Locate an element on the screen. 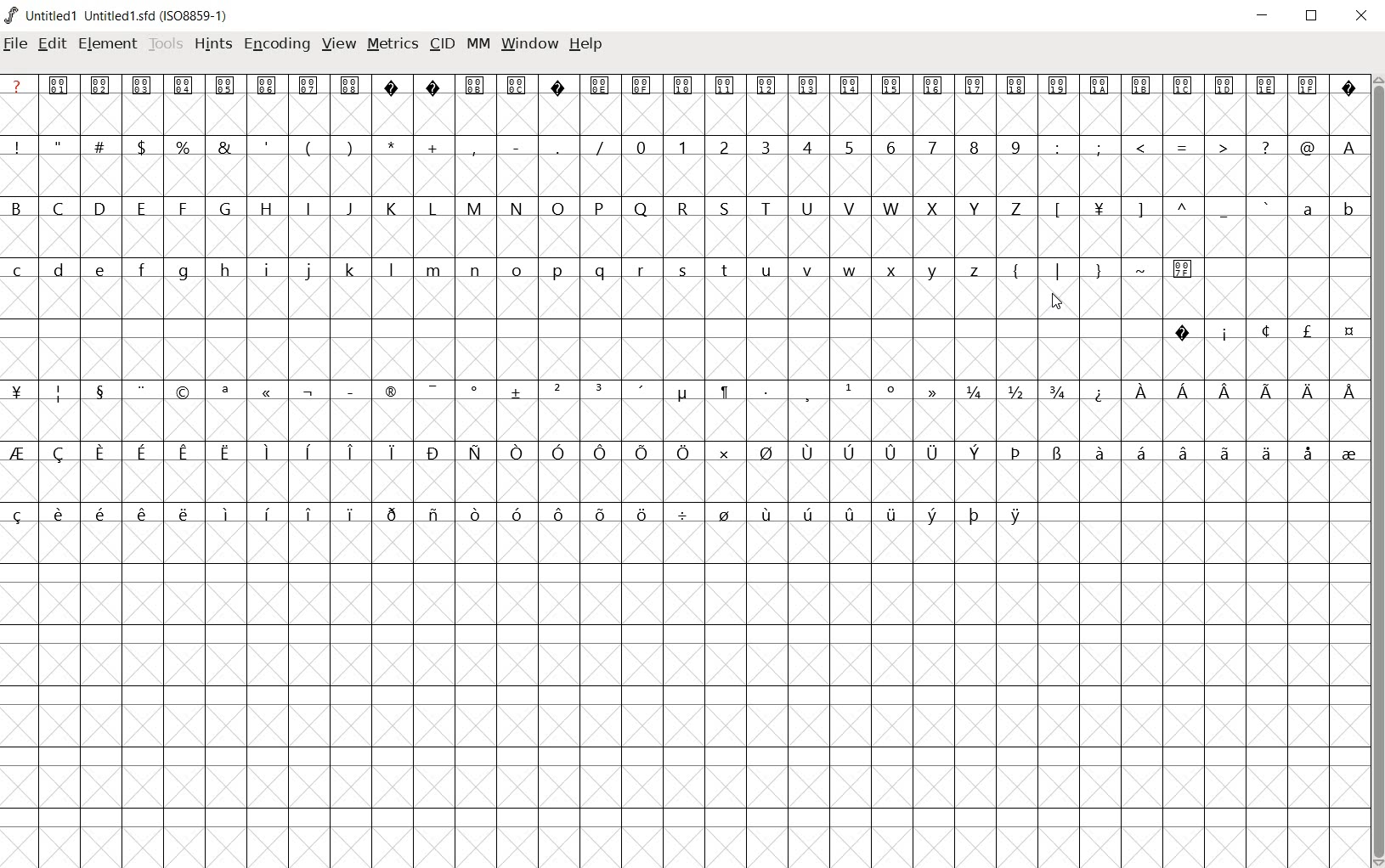 Image resolution: width=1385 pixels, height=868 pixels. view is located at coordinates (339, 42).